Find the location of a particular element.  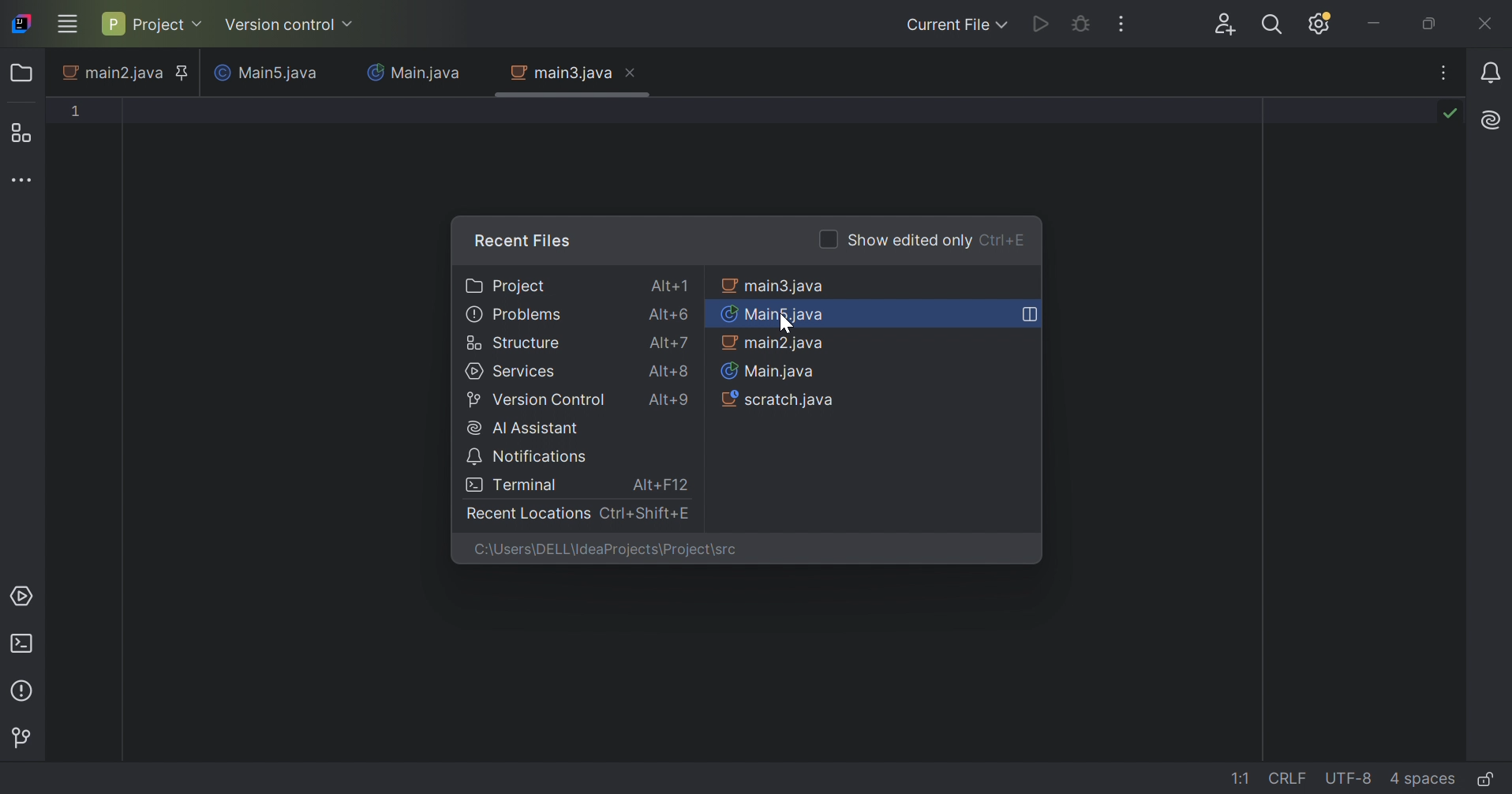

line encoding: UTF-8 is located at coordinates (1349, 778).